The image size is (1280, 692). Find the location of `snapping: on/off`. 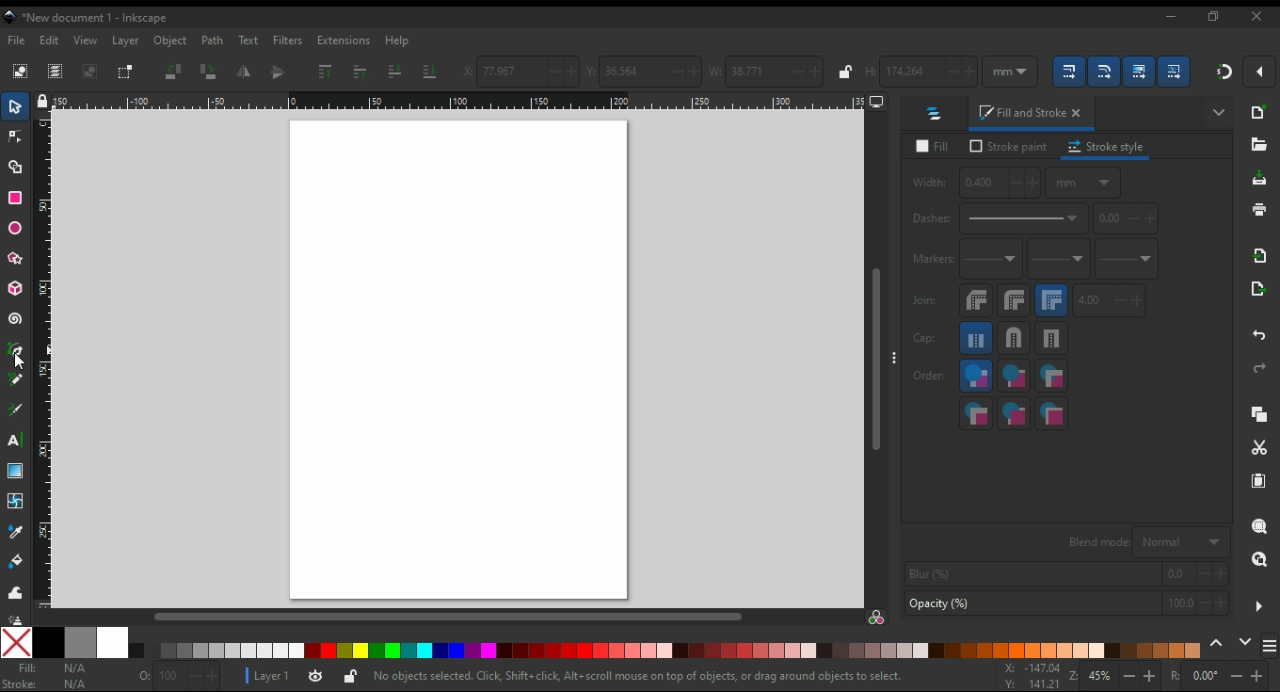

snapping: on/off is located at coordinates (1224, 70).